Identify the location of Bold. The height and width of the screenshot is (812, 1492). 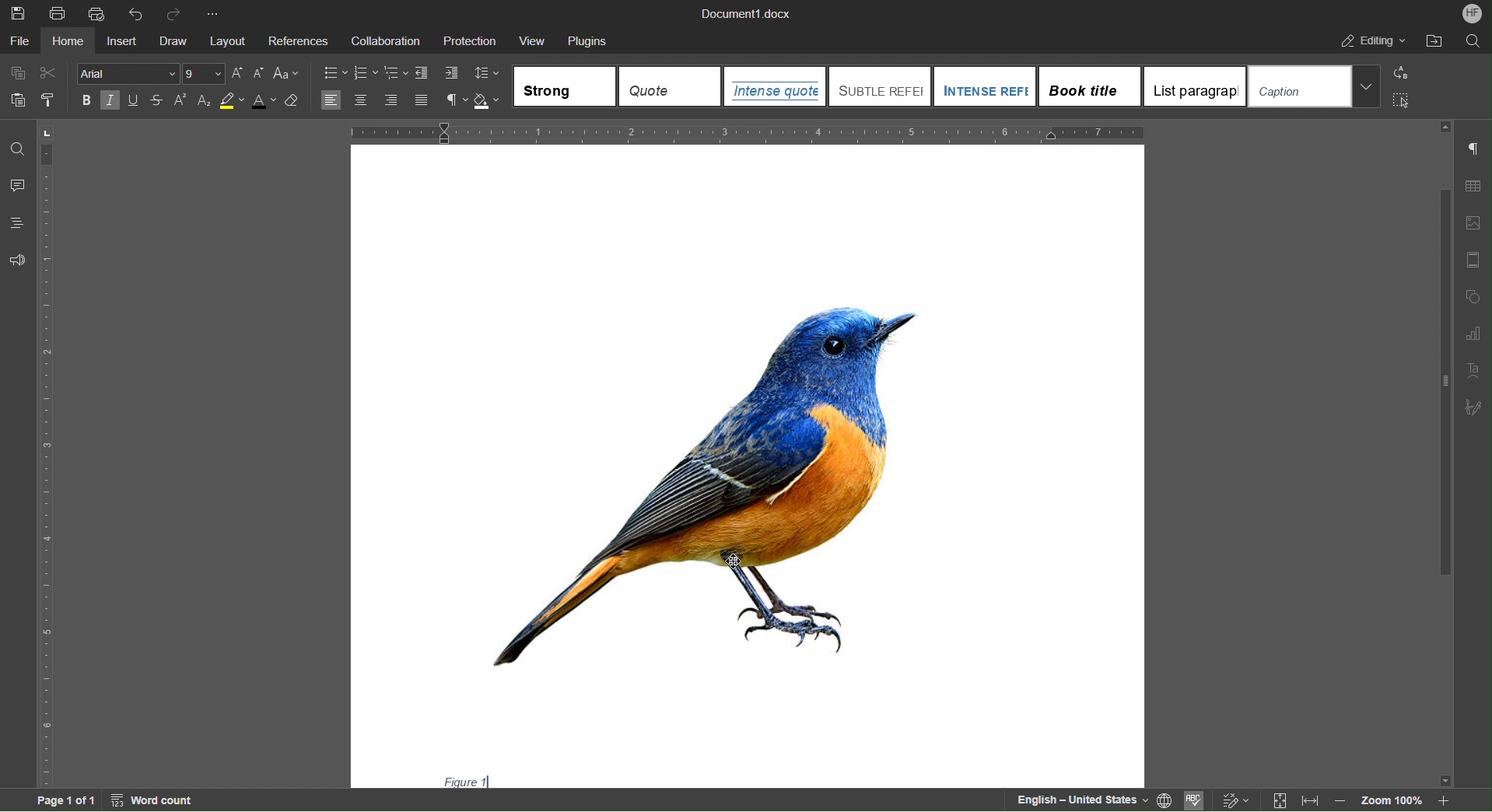
(88, 100).